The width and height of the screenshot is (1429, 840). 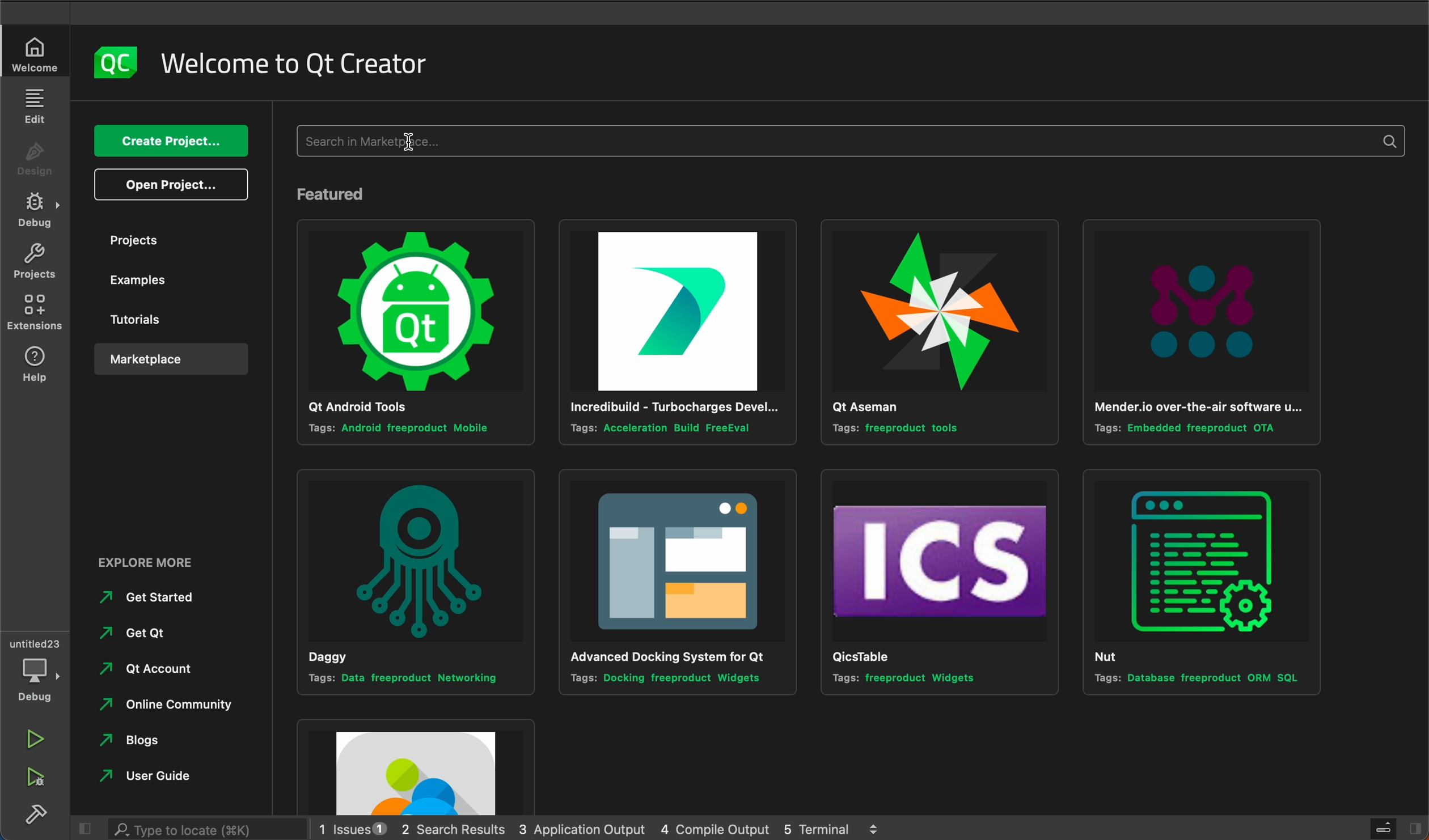 What do you see at coordinates (415, 579) in the screenshot?
I see `` at bounding box center [415, 579].